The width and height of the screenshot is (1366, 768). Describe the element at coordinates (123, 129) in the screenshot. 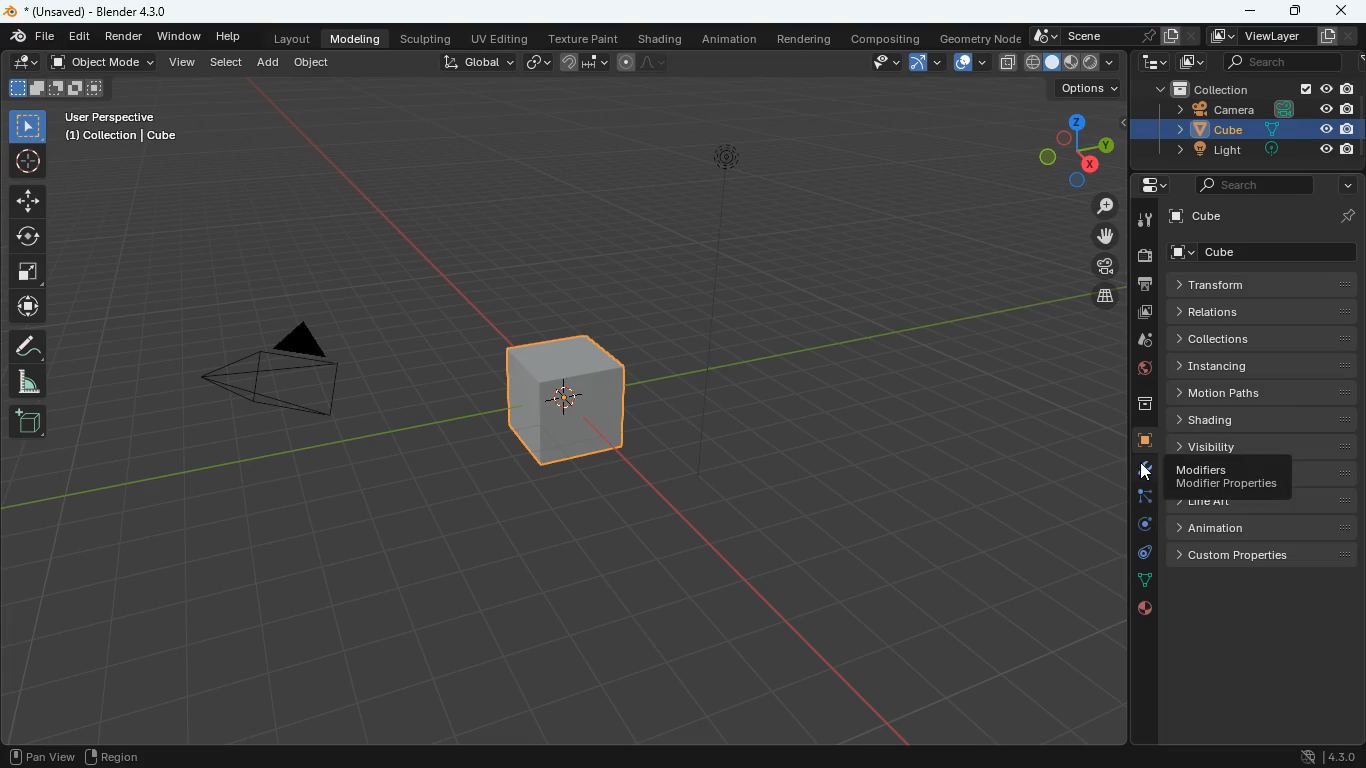

I see `` at that location.